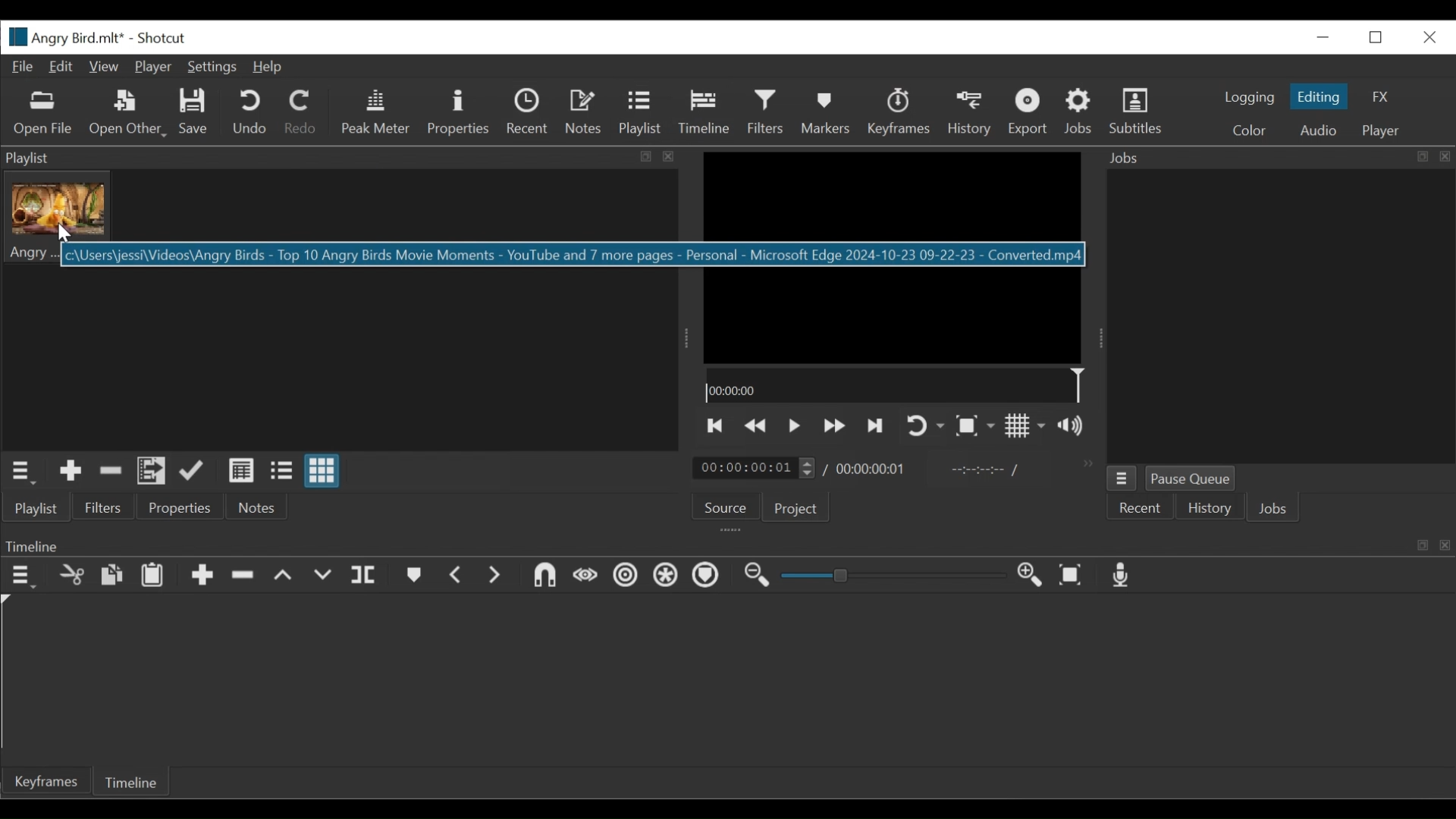 The image size is (1456, 819). Describe the element at coordinates (62, 234) in the screenshot. I see `Cursor` at that location.